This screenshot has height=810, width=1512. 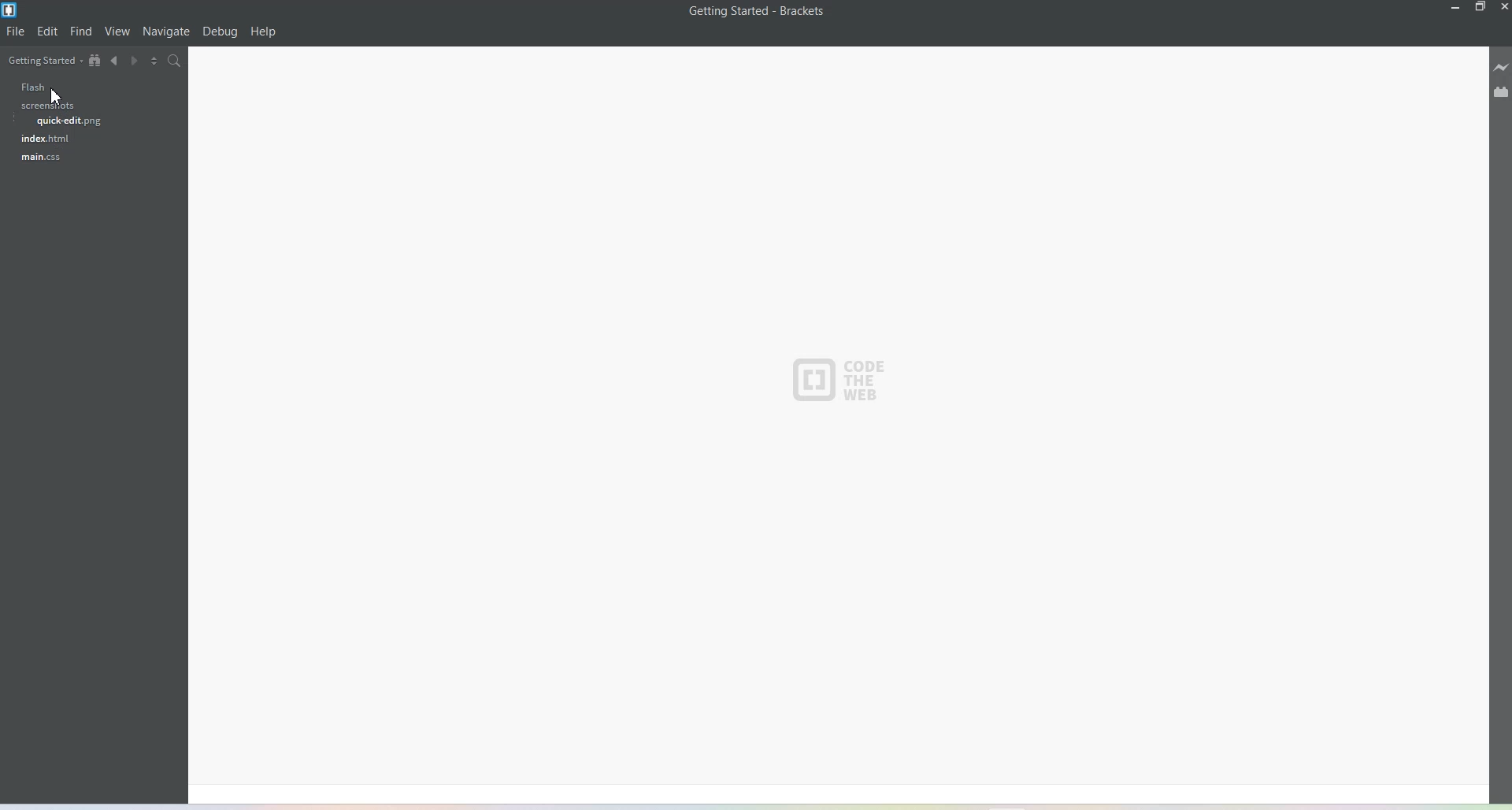 I want to click on Show in the file tree, so click(x=95, y=61).